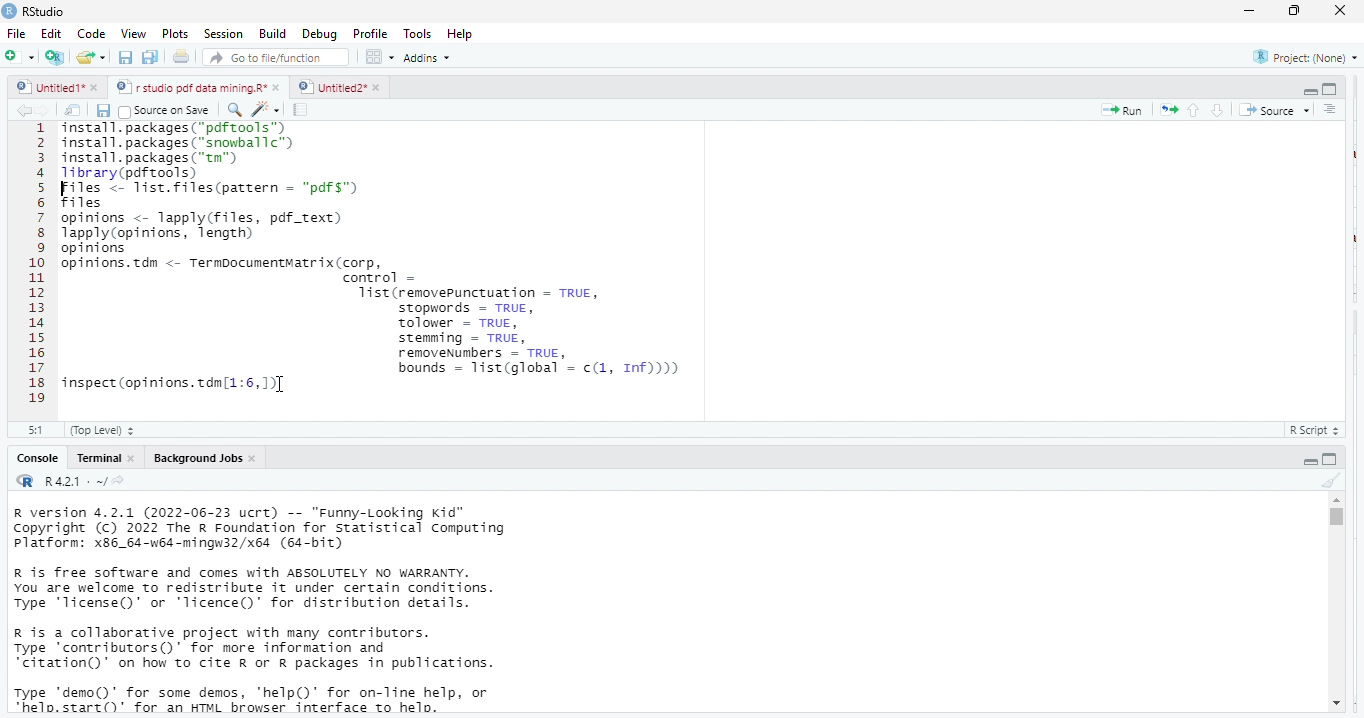  What do you see at coordinates (1319, 430) in the screenshot?
I see `r script` at bounding box center [1319, 430].